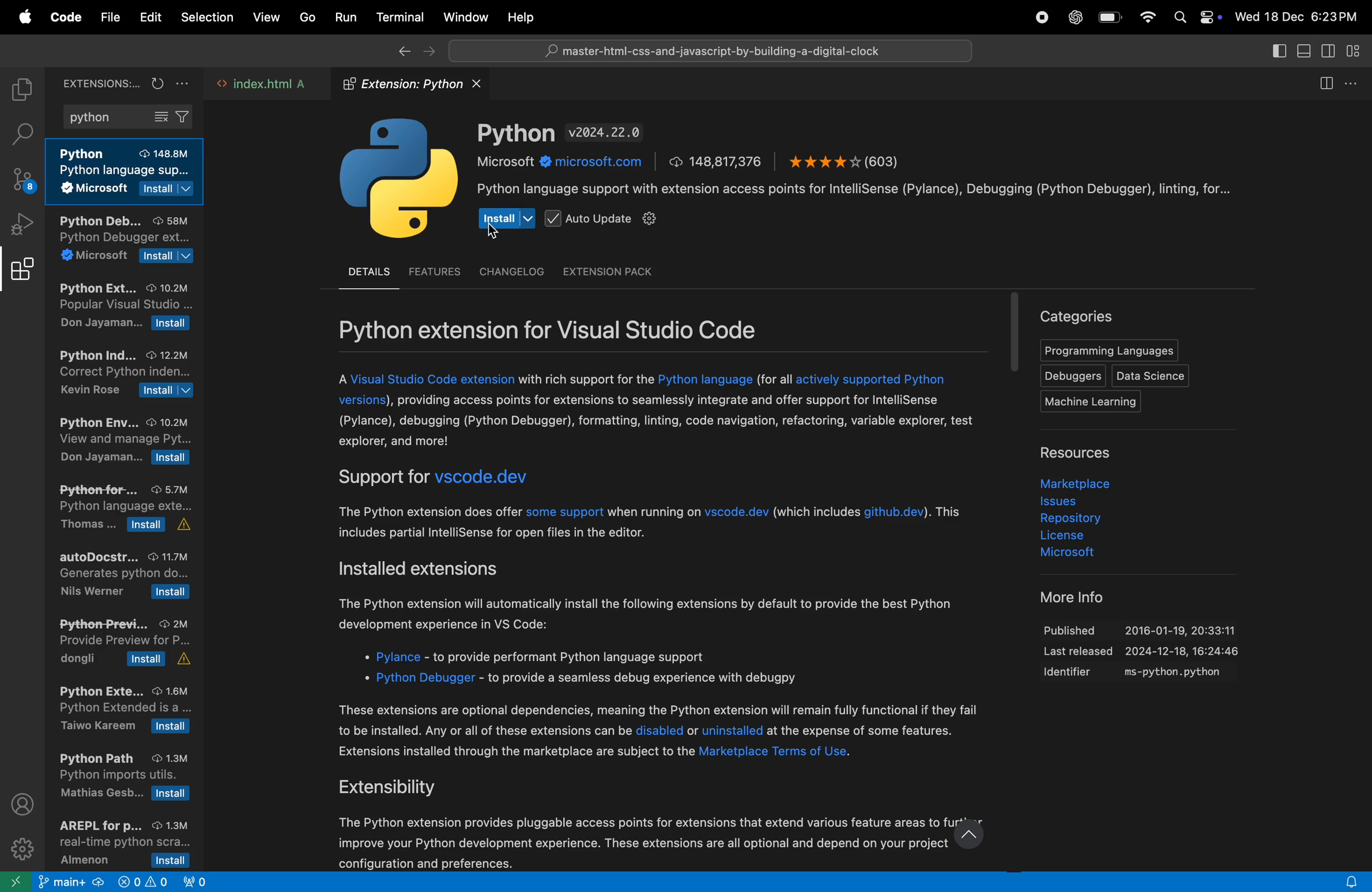 This screenshot has height=892, width=1372. I want to click on view port , so click(202, 880).